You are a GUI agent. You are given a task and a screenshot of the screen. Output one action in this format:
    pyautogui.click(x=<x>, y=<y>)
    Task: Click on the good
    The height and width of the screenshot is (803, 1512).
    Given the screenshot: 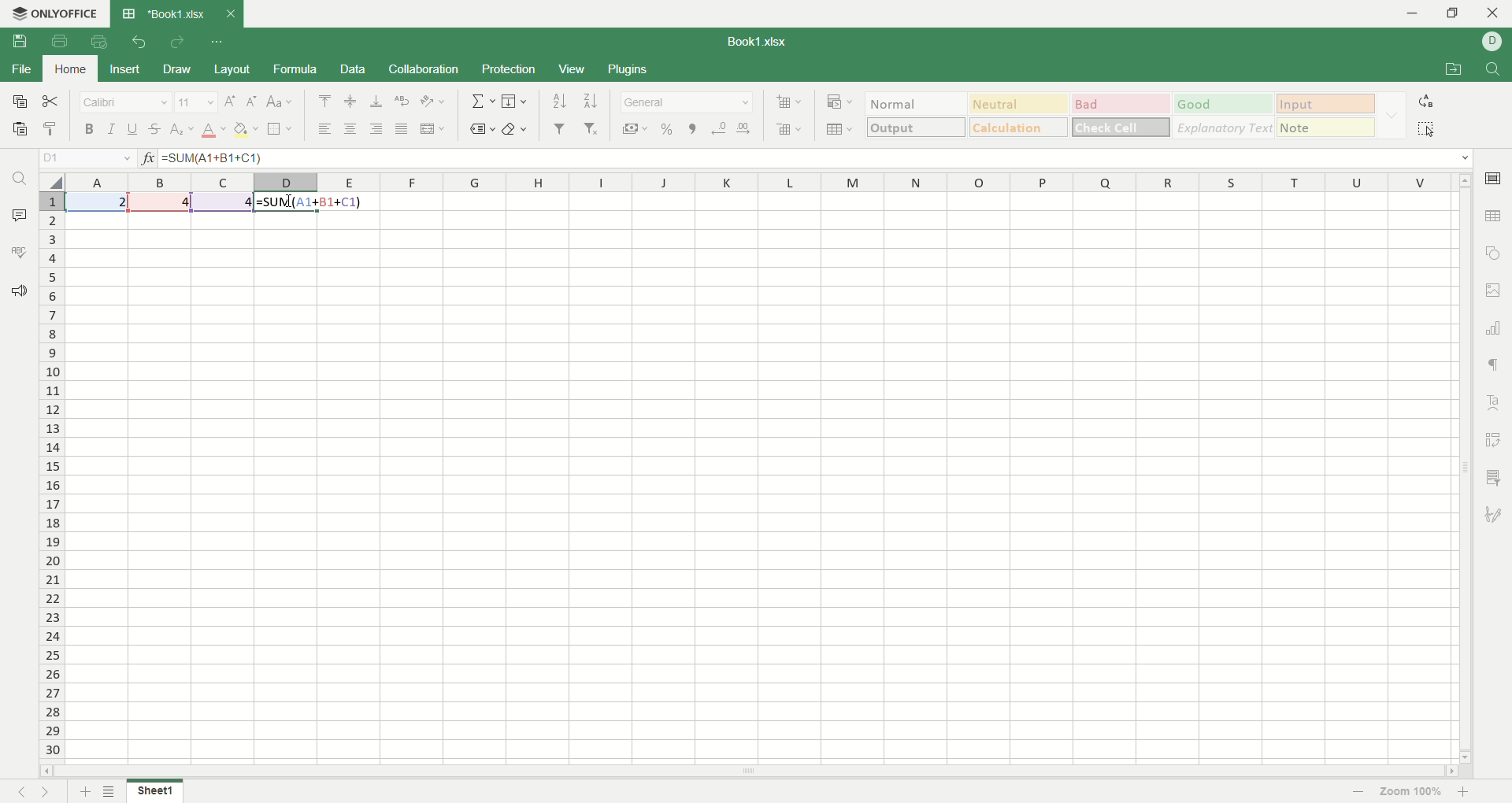 What is the action you would take?
    pyautogui.click(x=1224, y=105)
    